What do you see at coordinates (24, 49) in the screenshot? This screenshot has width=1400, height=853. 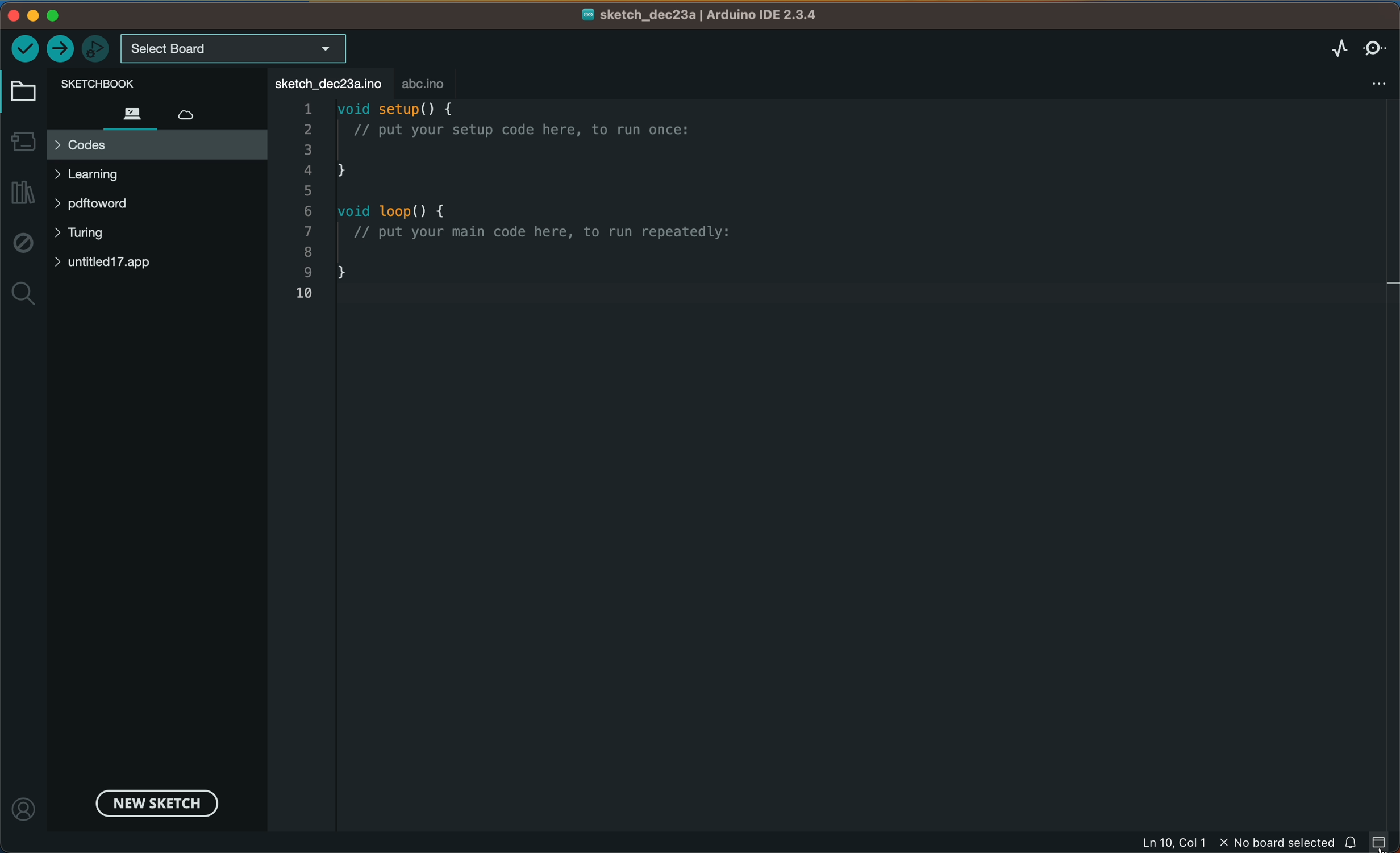 I see `verify` at bounding box center [24, 49].